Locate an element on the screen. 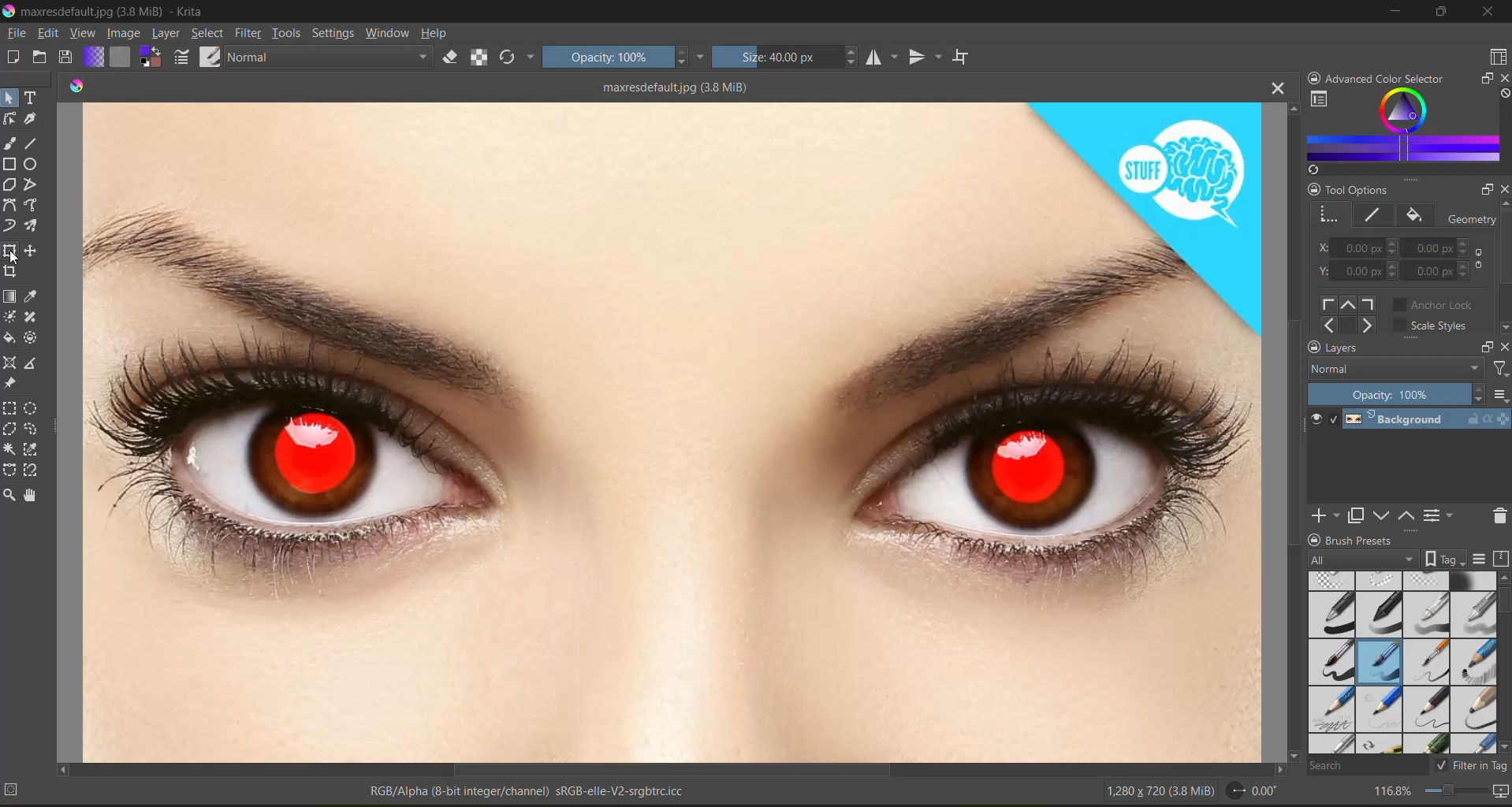 The height and width of the screenshot is (807, 1512). zoom is located at coordinates (1458, 794).